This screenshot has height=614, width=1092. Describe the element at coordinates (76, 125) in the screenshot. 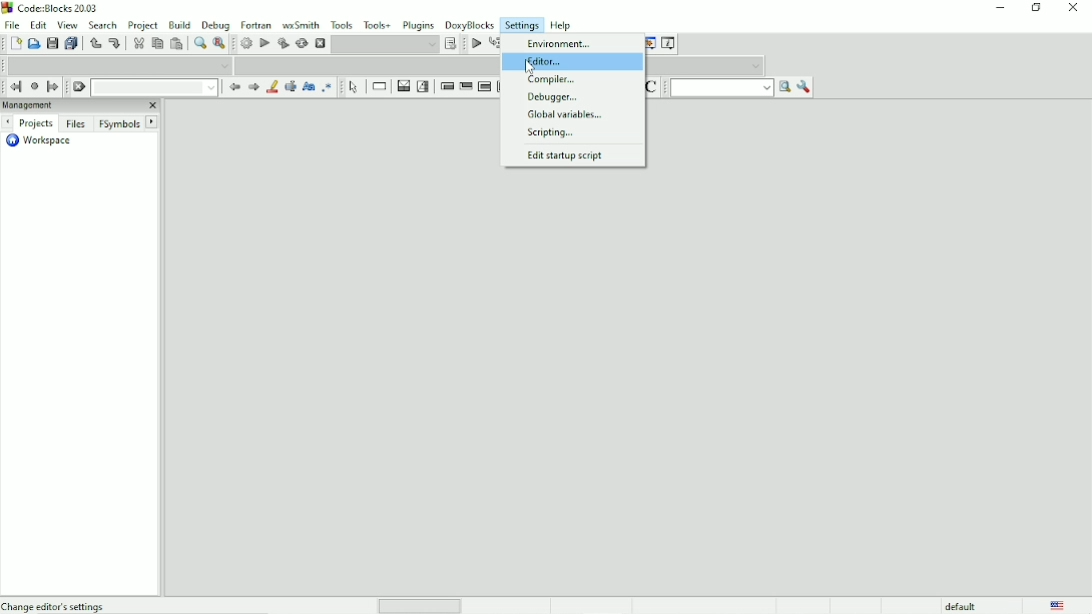

I see `Files` at that location.